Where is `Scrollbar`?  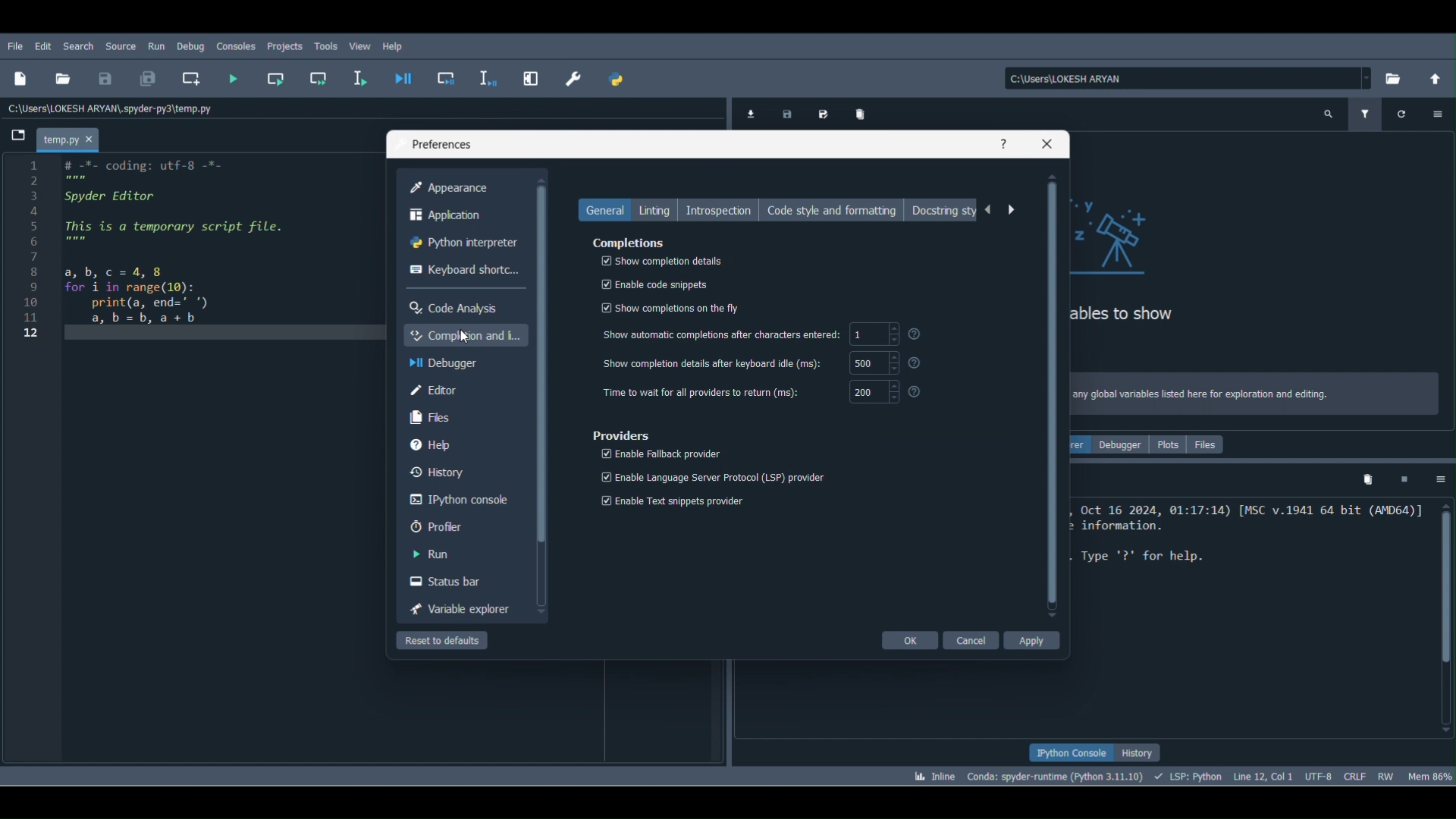 Scrollbar is located at coordinates (544, 394).